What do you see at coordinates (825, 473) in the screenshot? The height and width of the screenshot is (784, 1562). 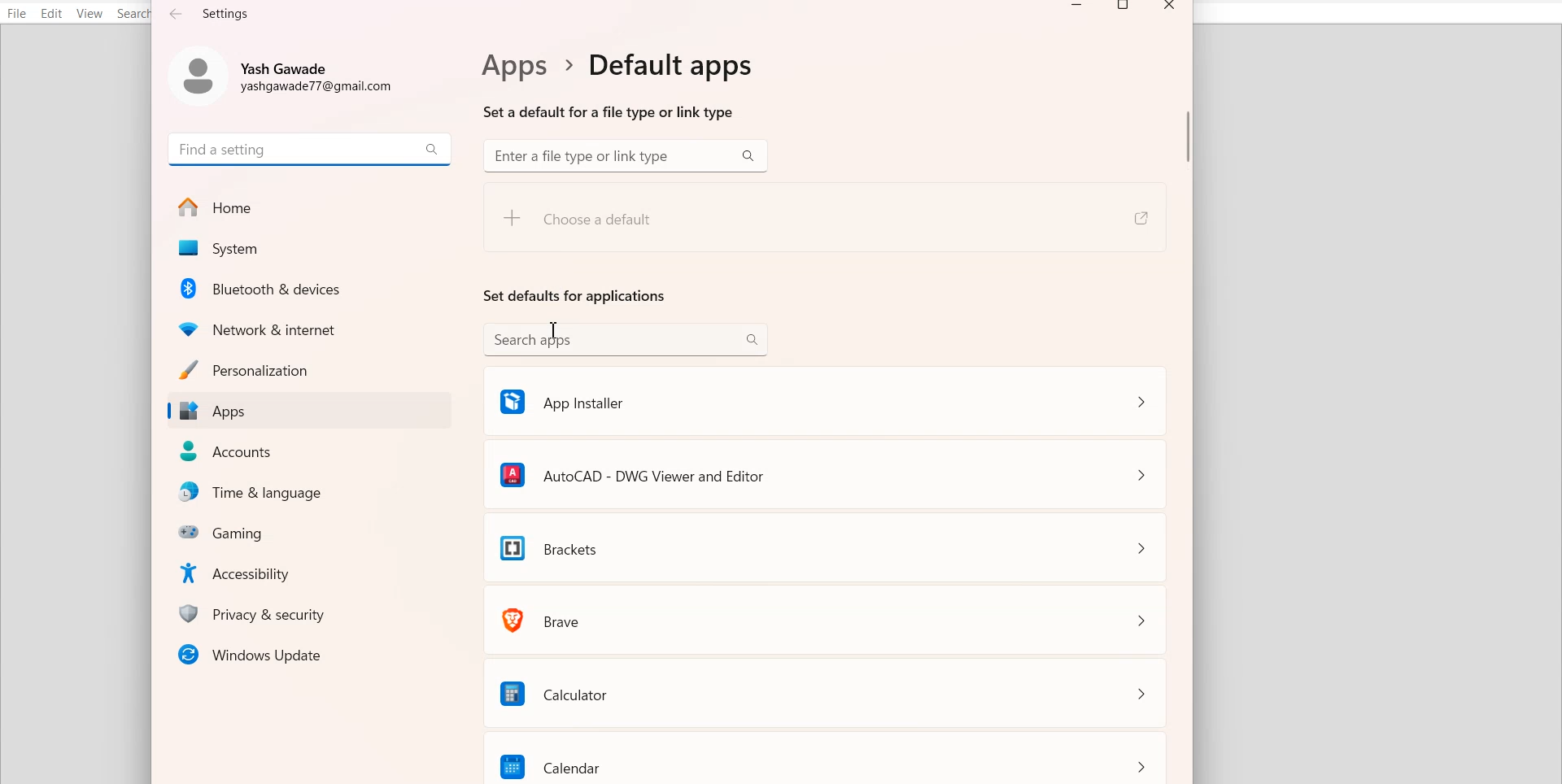 I see `AutoCAD` at bounding box center [825, 473].